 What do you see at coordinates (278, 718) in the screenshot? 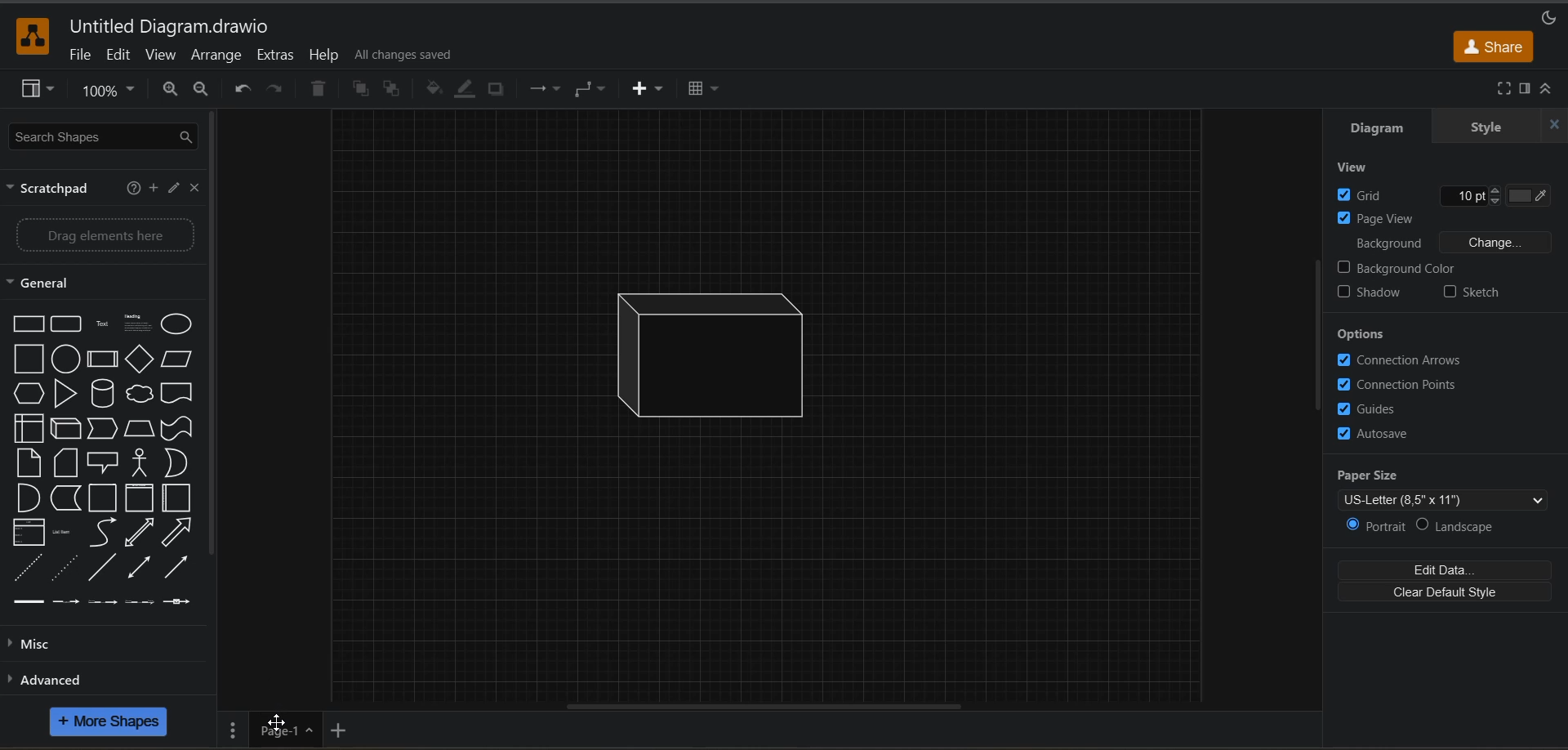
I see `Cursor` at bounding box center [278, 718].